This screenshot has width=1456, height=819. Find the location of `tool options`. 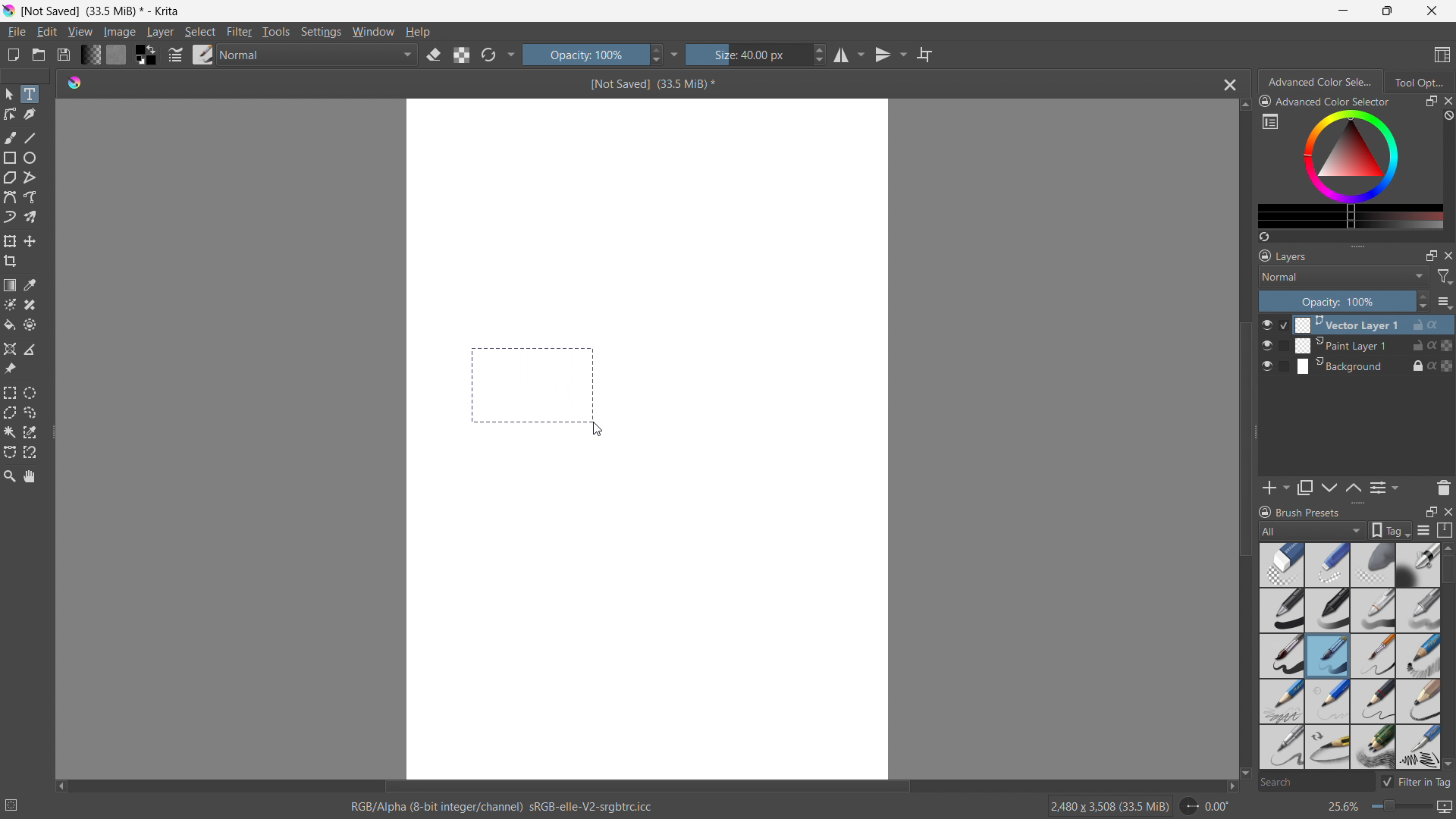

tool options is located at coordinates (1418, 81).